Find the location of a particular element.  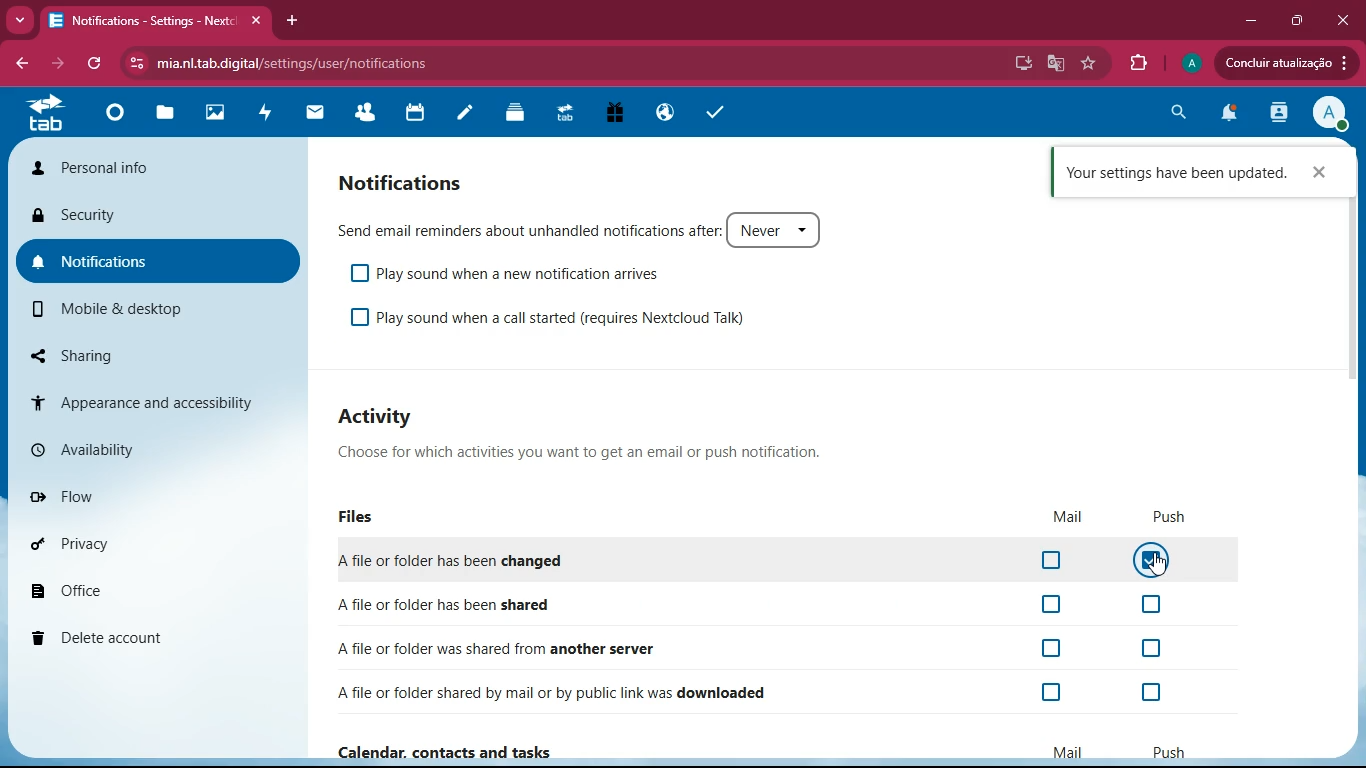

personal info is located at coordinates (155, 165).